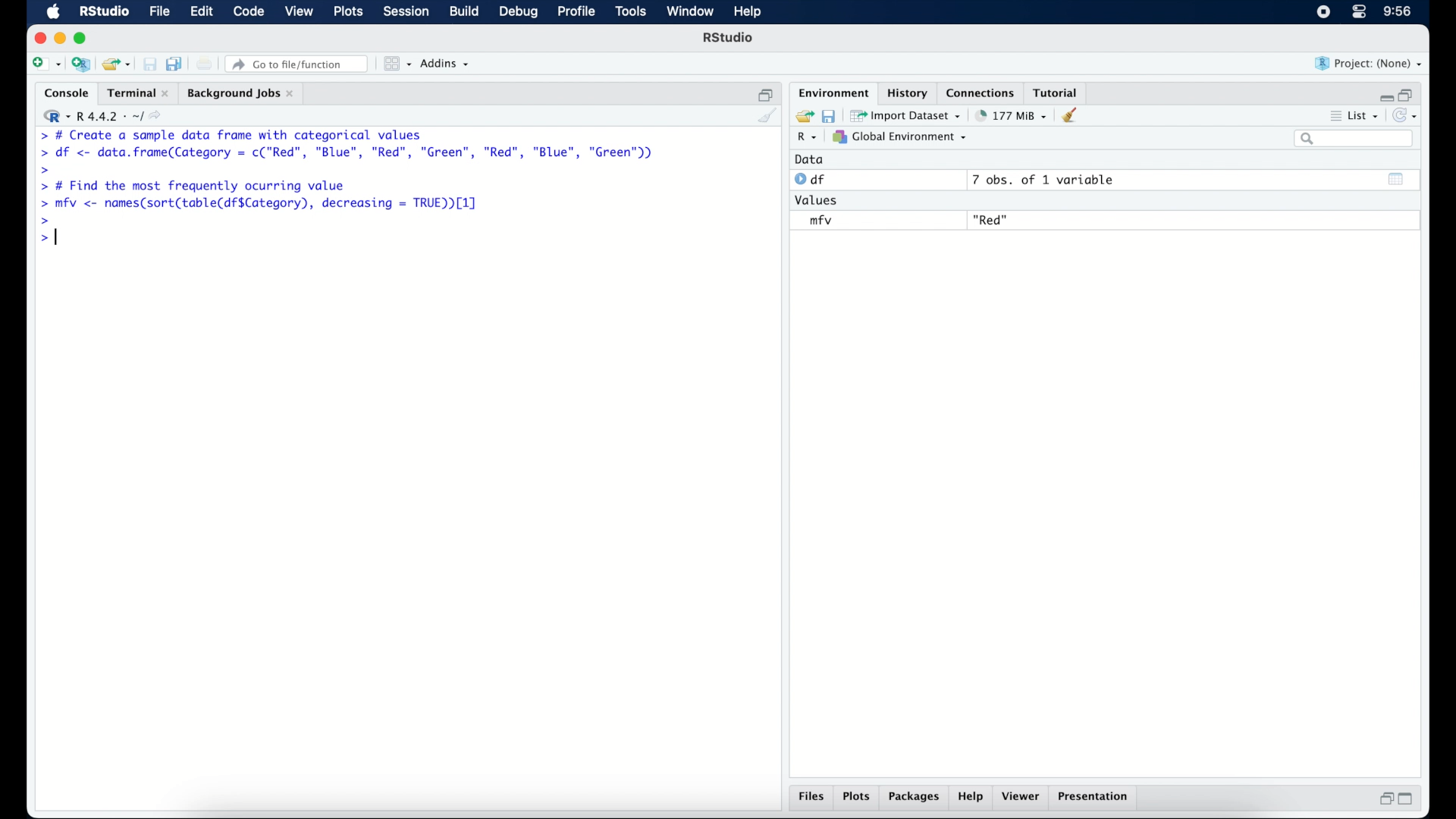 Image resolution: width=1456 pixels, height=819 pixels. What do you see at coordinates (45, 219) in the screenshot?
I see `command prompt` at bounding box center [45, 219].